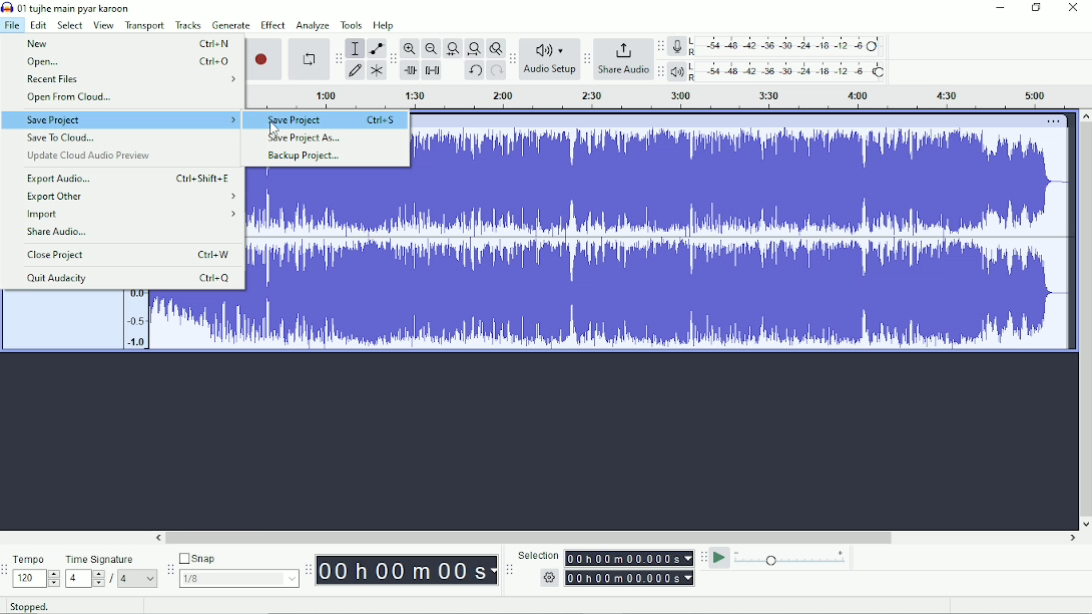 This screenshot has width=1092, height=614. I want to click on Generate, so click(232, 26).